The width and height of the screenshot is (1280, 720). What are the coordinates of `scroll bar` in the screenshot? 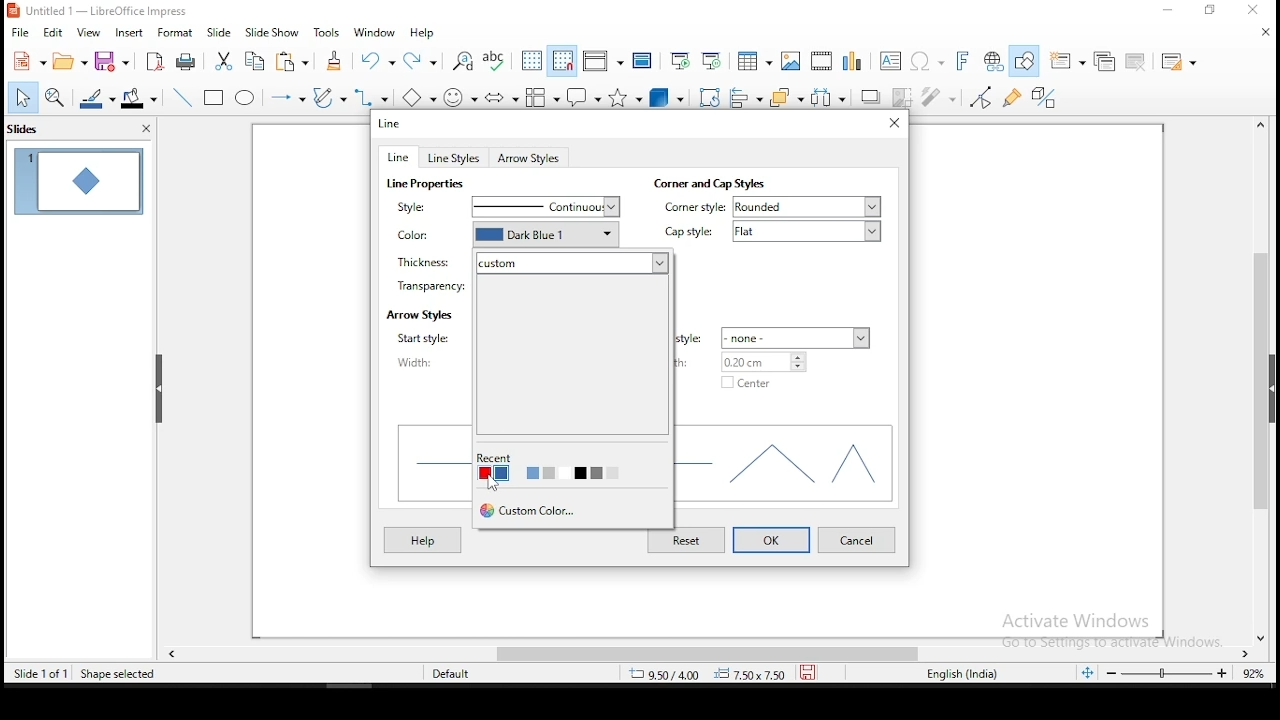 It's located at (687, 651).